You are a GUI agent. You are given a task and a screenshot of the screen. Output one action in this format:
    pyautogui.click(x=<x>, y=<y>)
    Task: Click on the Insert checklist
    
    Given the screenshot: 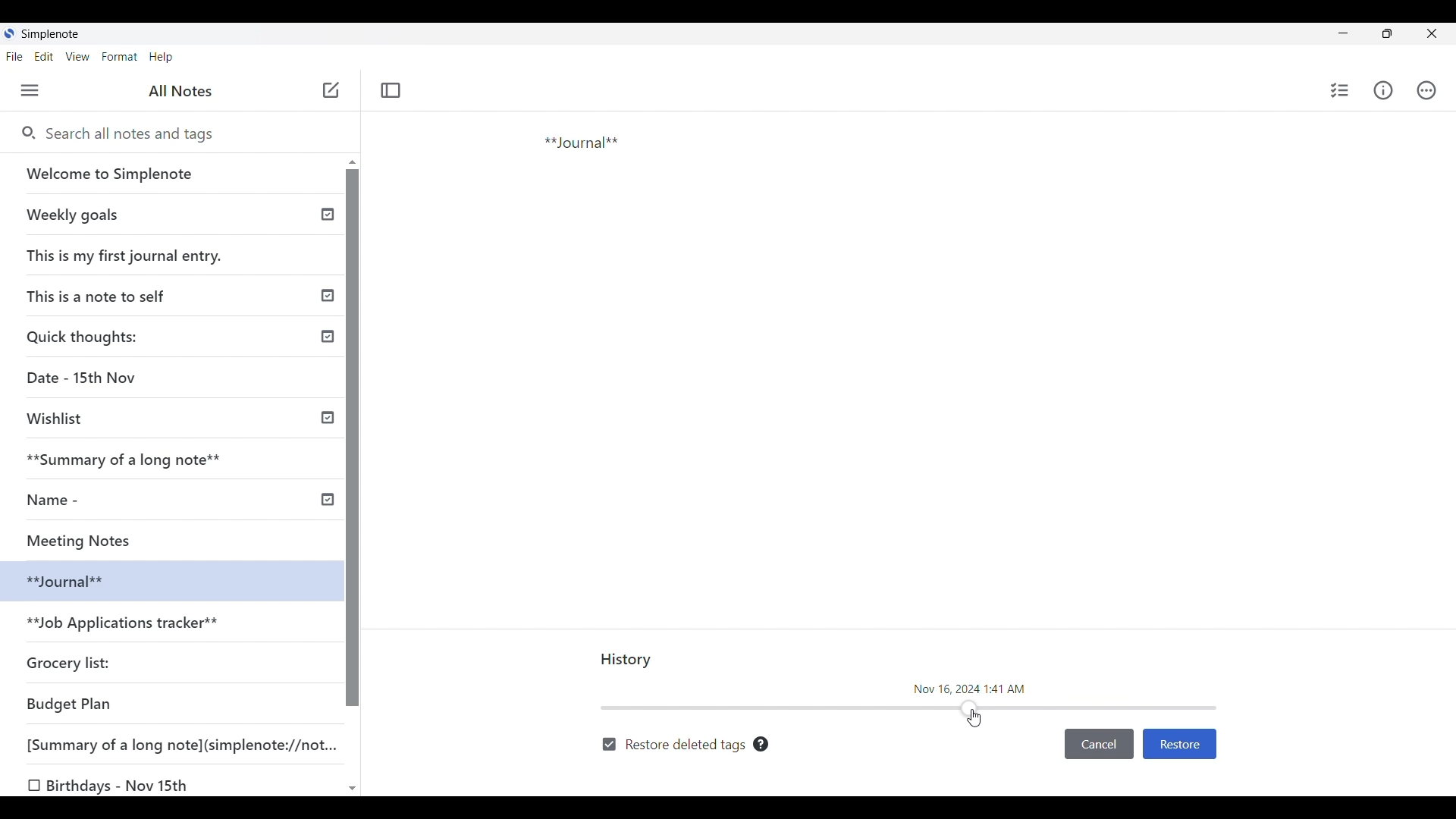 What is the action you would take?
    pyautogui.click(x=1341, y=90)
    